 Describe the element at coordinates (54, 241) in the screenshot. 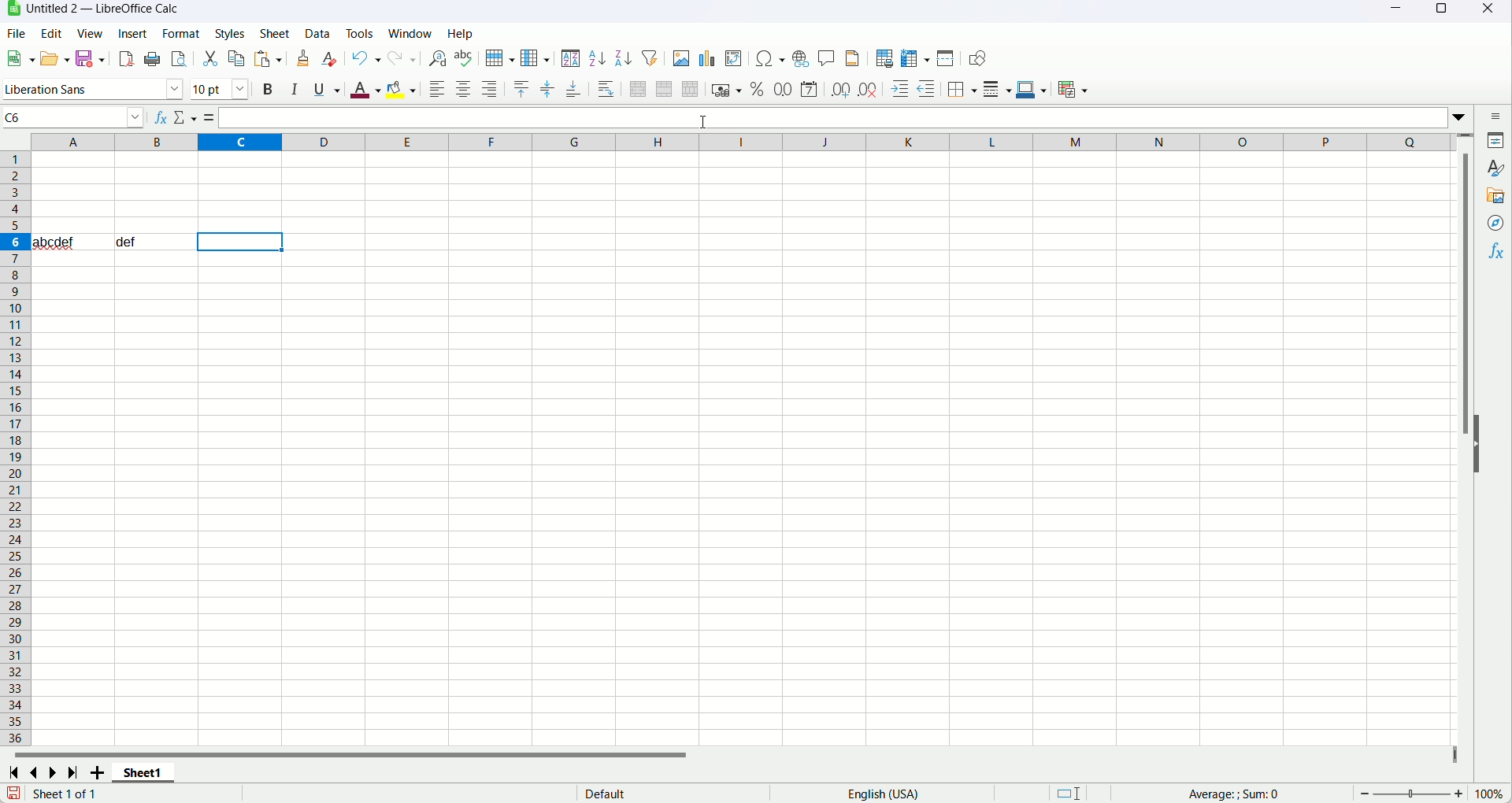

I see `abcdef` at that location.